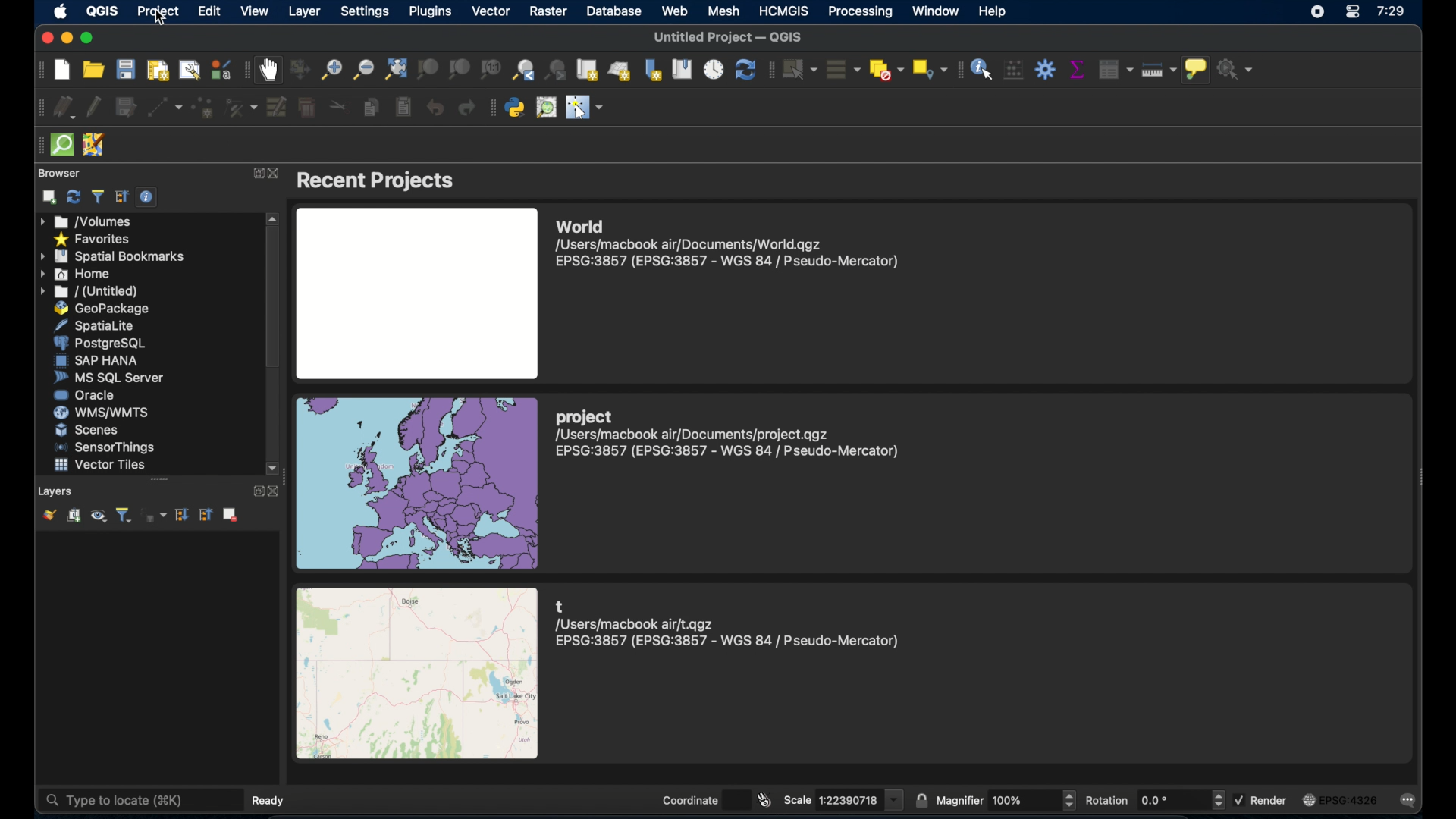 The height and width of the screenshot is (819, 1456). I want to click on scroll box, so click(275, 298).